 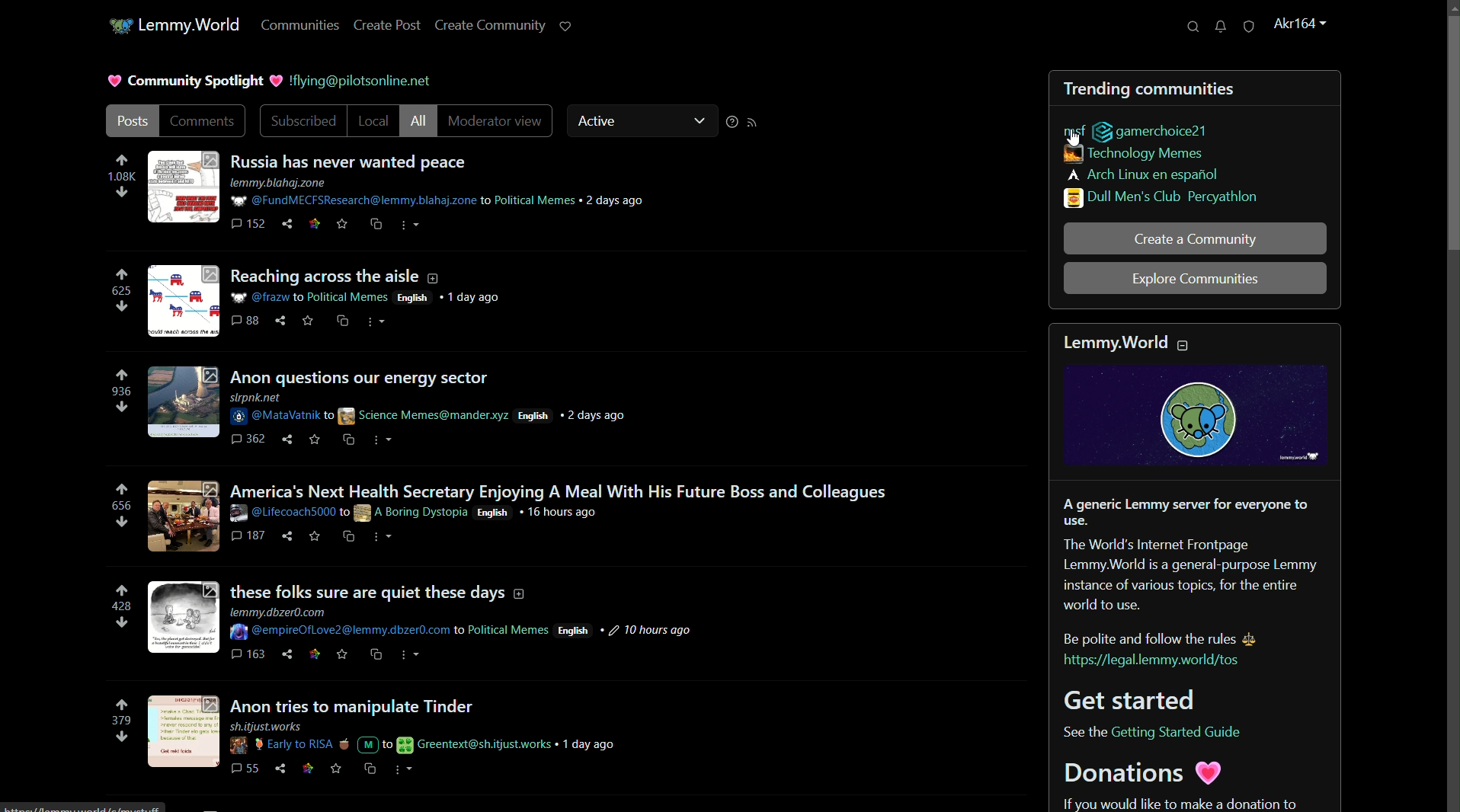 I want to click on image, so click(x=184, y=187).